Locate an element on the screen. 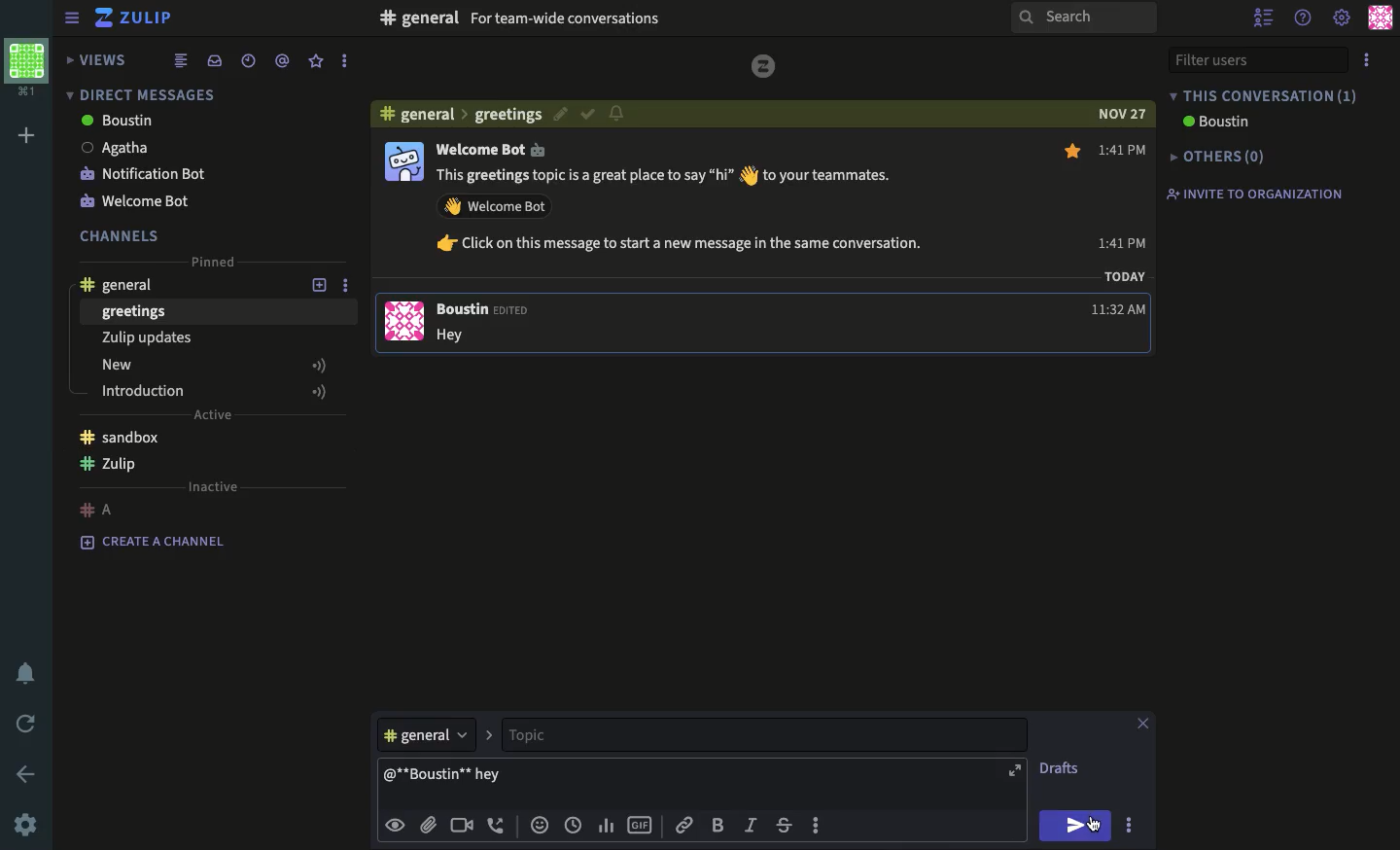 This screenshot has width=1400, height=850. create a channel is located at coordinates (153, 540).